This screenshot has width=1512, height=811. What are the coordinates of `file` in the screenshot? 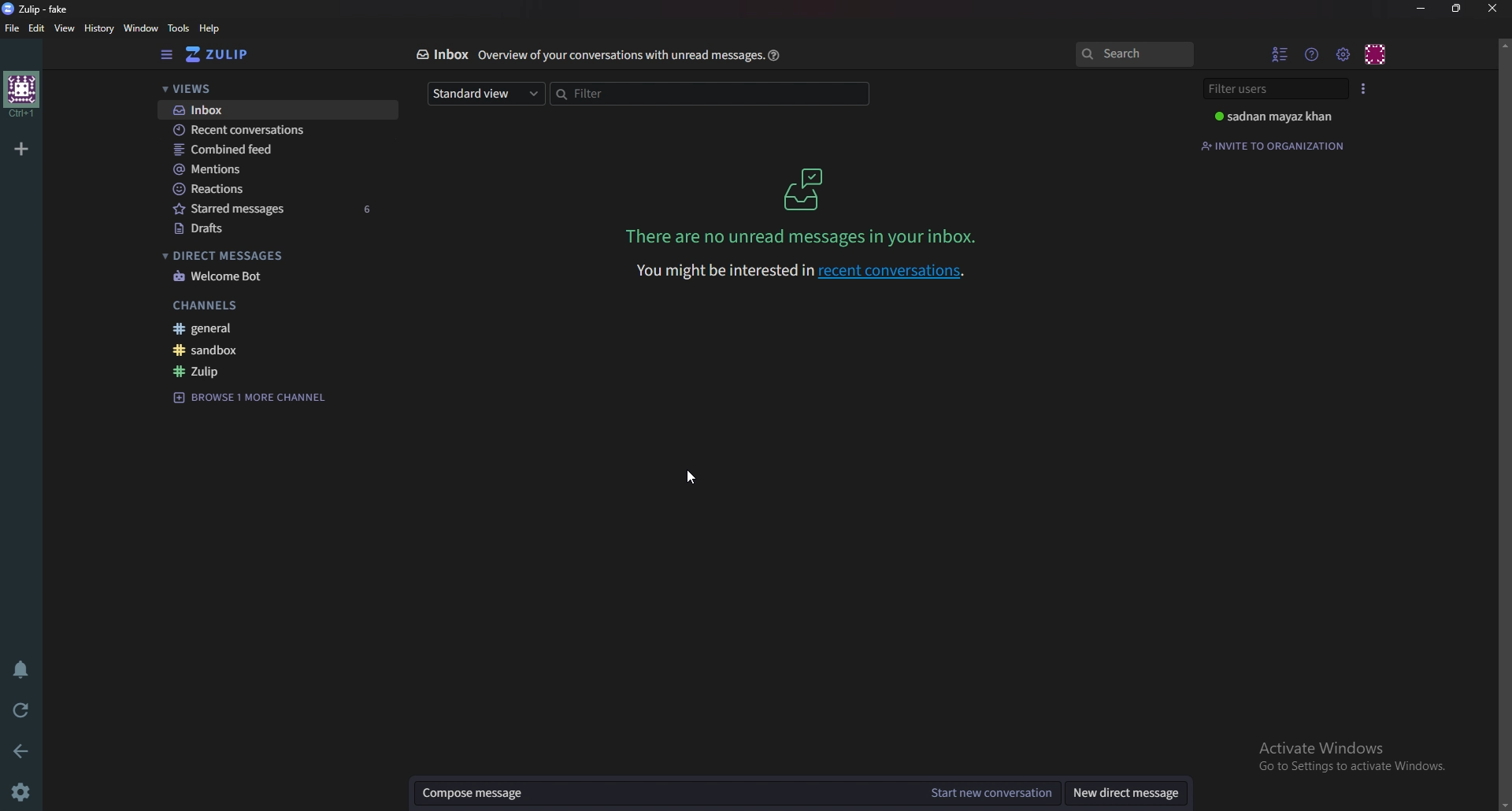 It's located at (15, 28).